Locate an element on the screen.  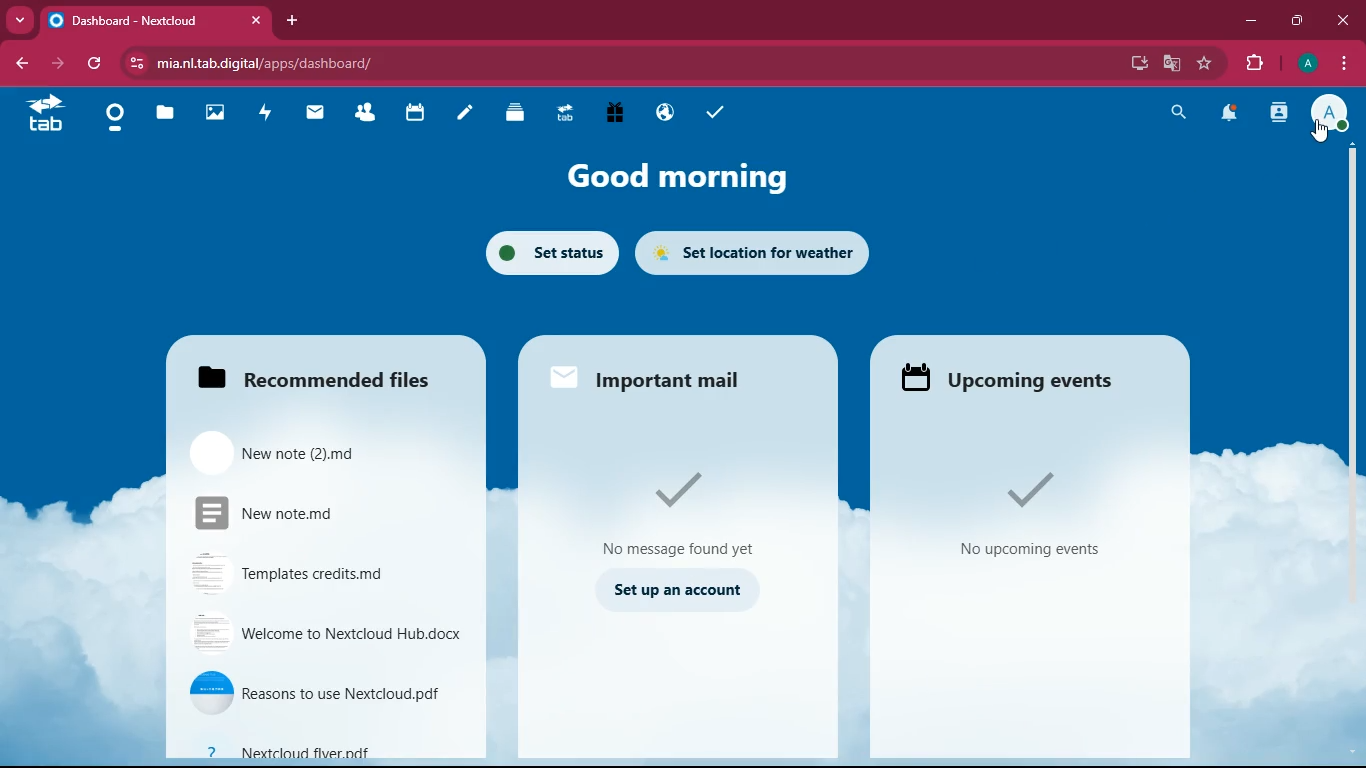
scroll bar is located at coordinates (1349, 323).